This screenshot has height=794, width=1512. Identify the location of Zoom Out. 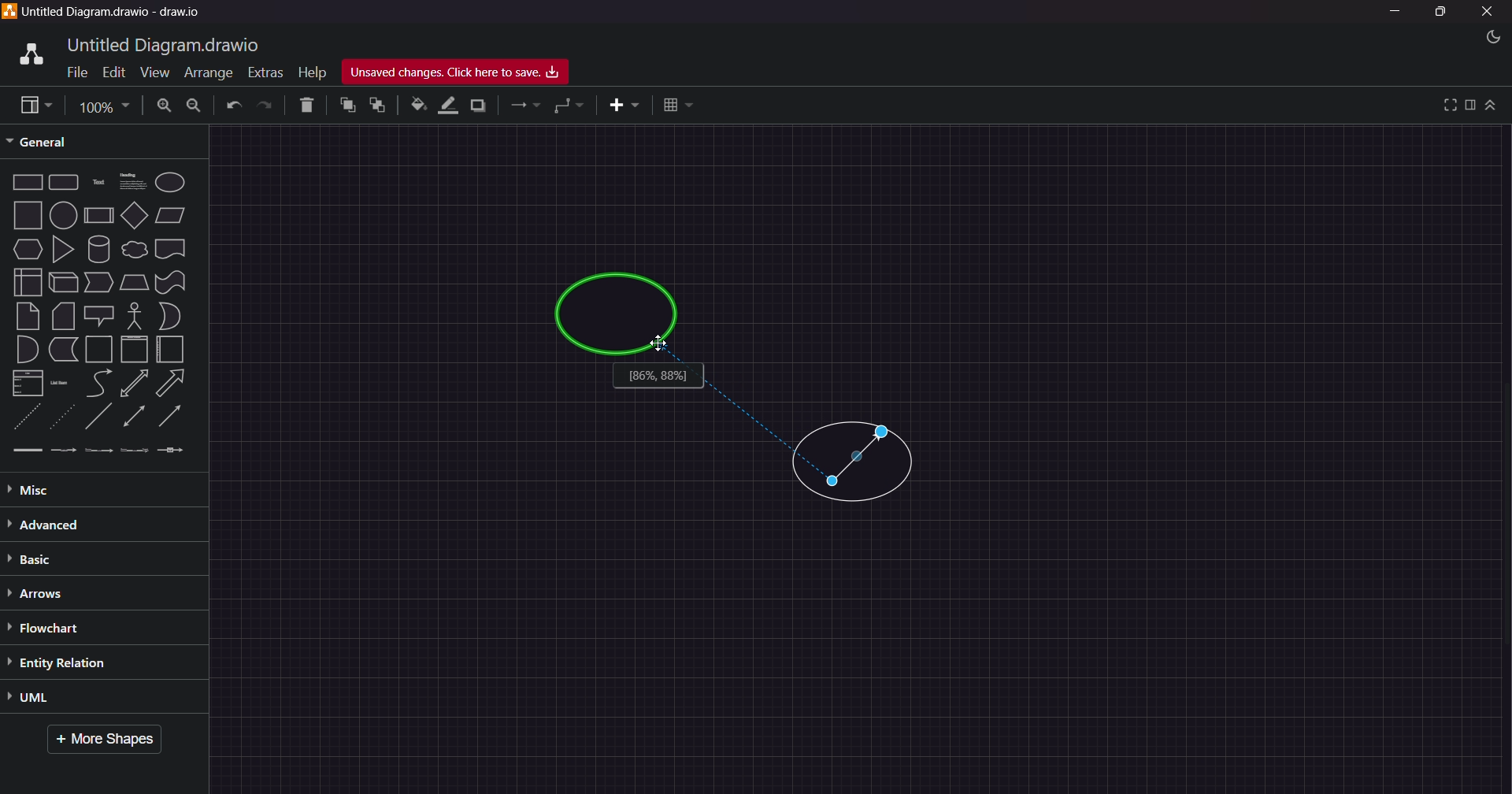
(195, 107).